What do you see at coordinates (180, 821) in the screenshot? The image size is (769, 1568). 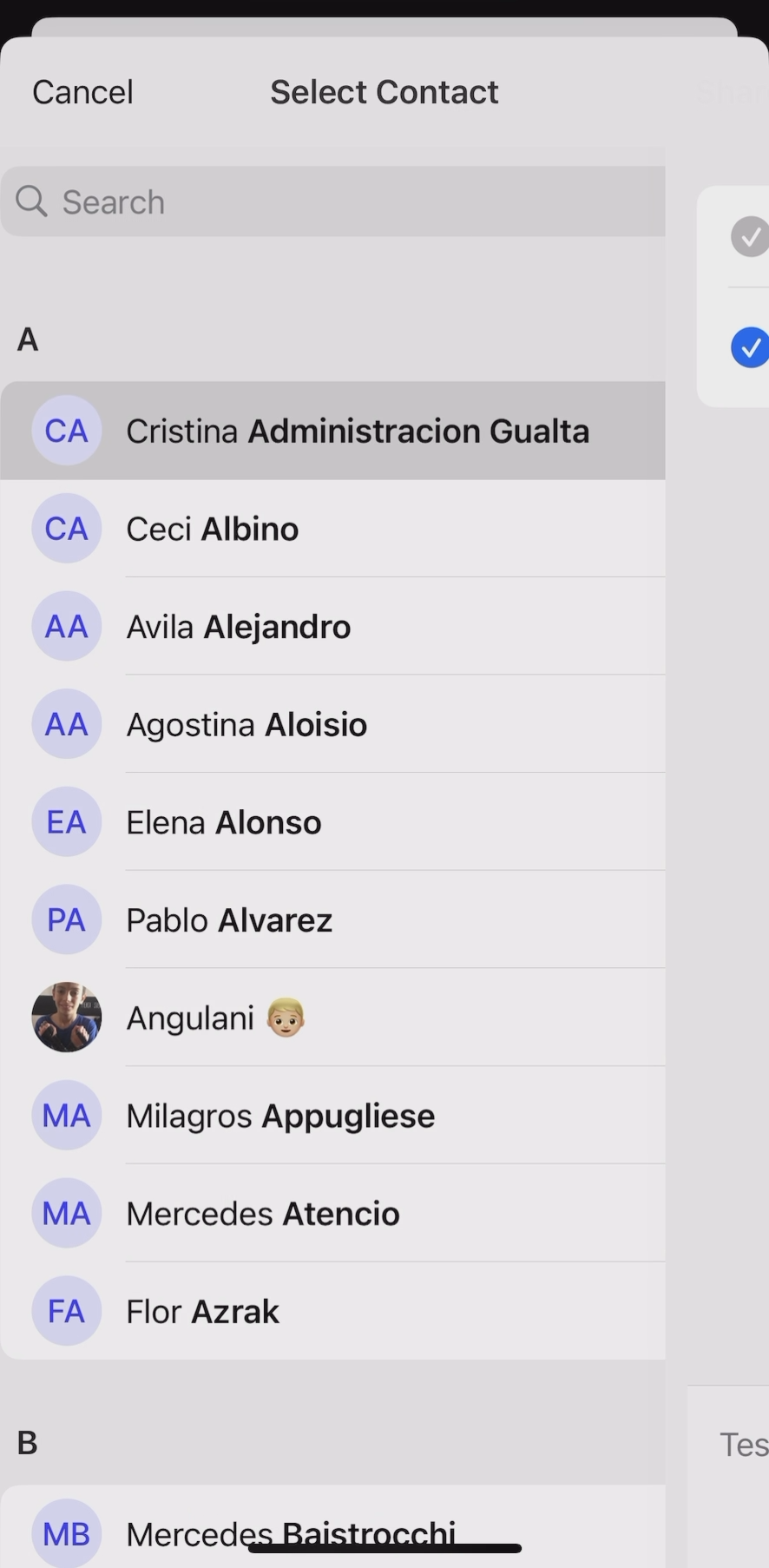 I see `Elena Alonso` at bounding box center [180, 821].